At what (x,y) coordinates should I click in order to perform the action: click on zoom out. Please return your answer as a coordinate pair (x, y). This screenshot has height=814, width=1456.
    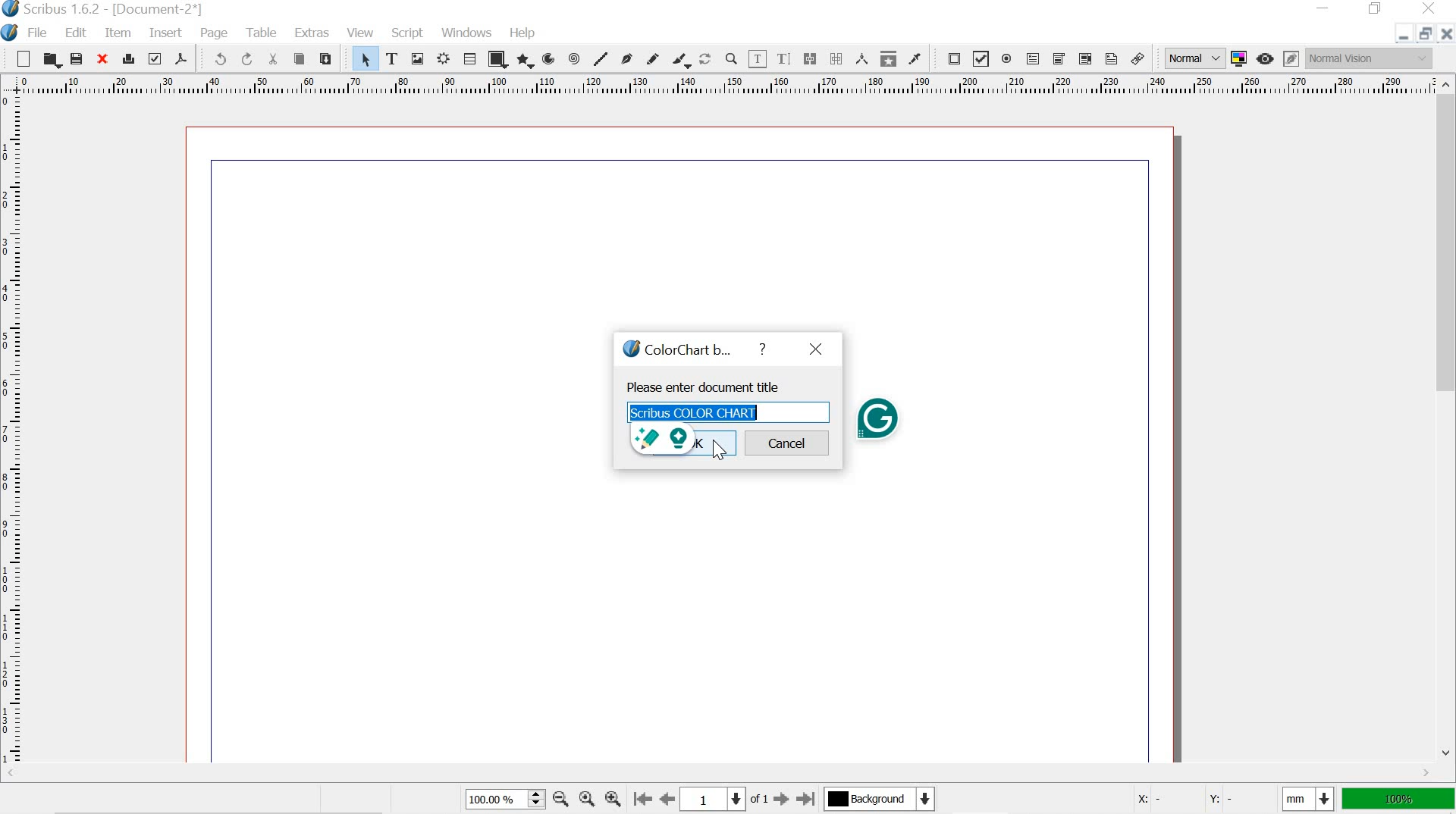
    Looking at the image, I should click on (561, 801).